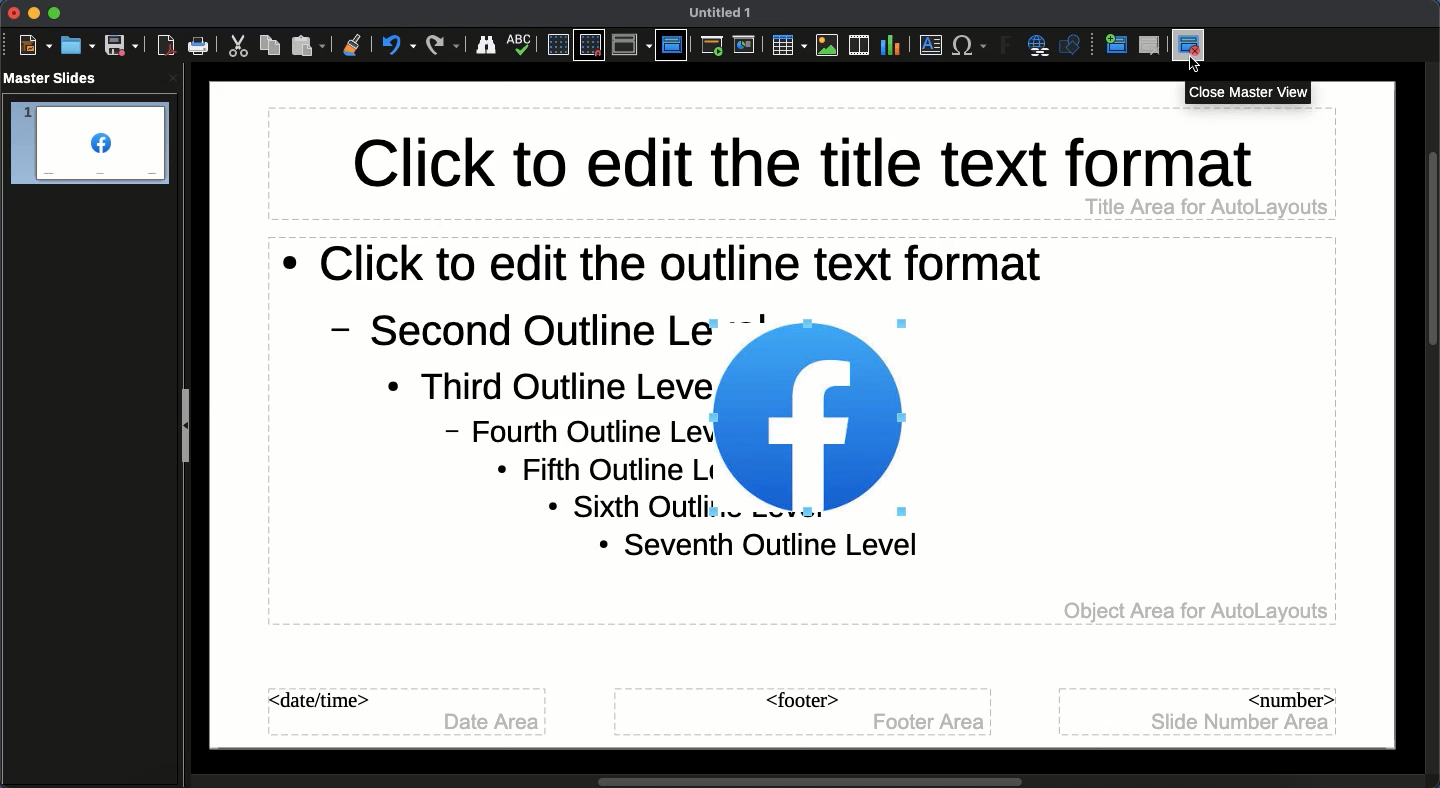 The image size is (1440, 788). Describe the element at coordinates (121, 46) in the screenshot. I see `Save` at that location.